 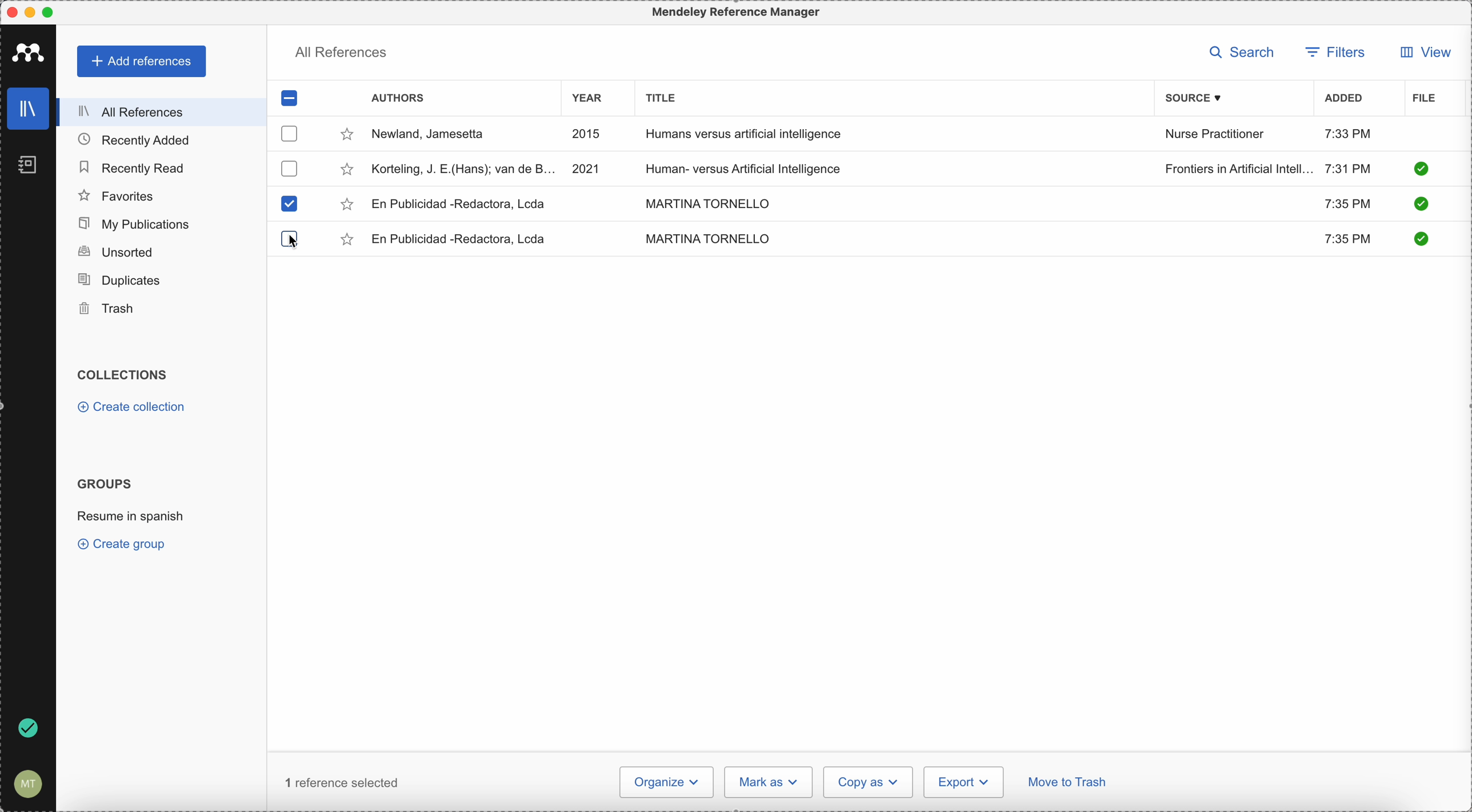 What do you see at coordinates (29, 50) in the screenshot?
I see `Mendeley icon` at bounding box center [29, 50].